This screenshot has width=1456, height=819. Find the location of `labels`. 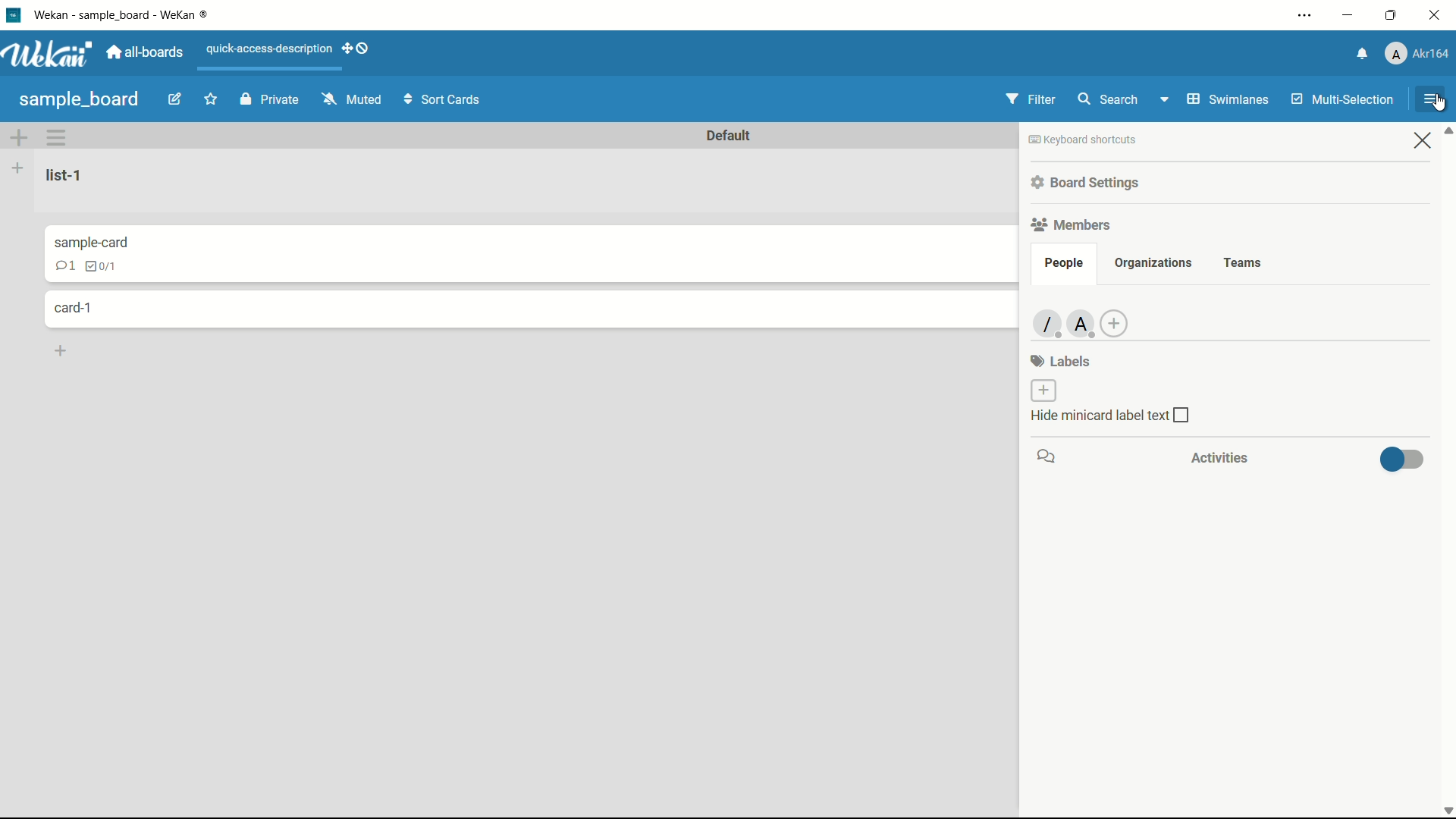

labels is located at coordinates (1062, 360).